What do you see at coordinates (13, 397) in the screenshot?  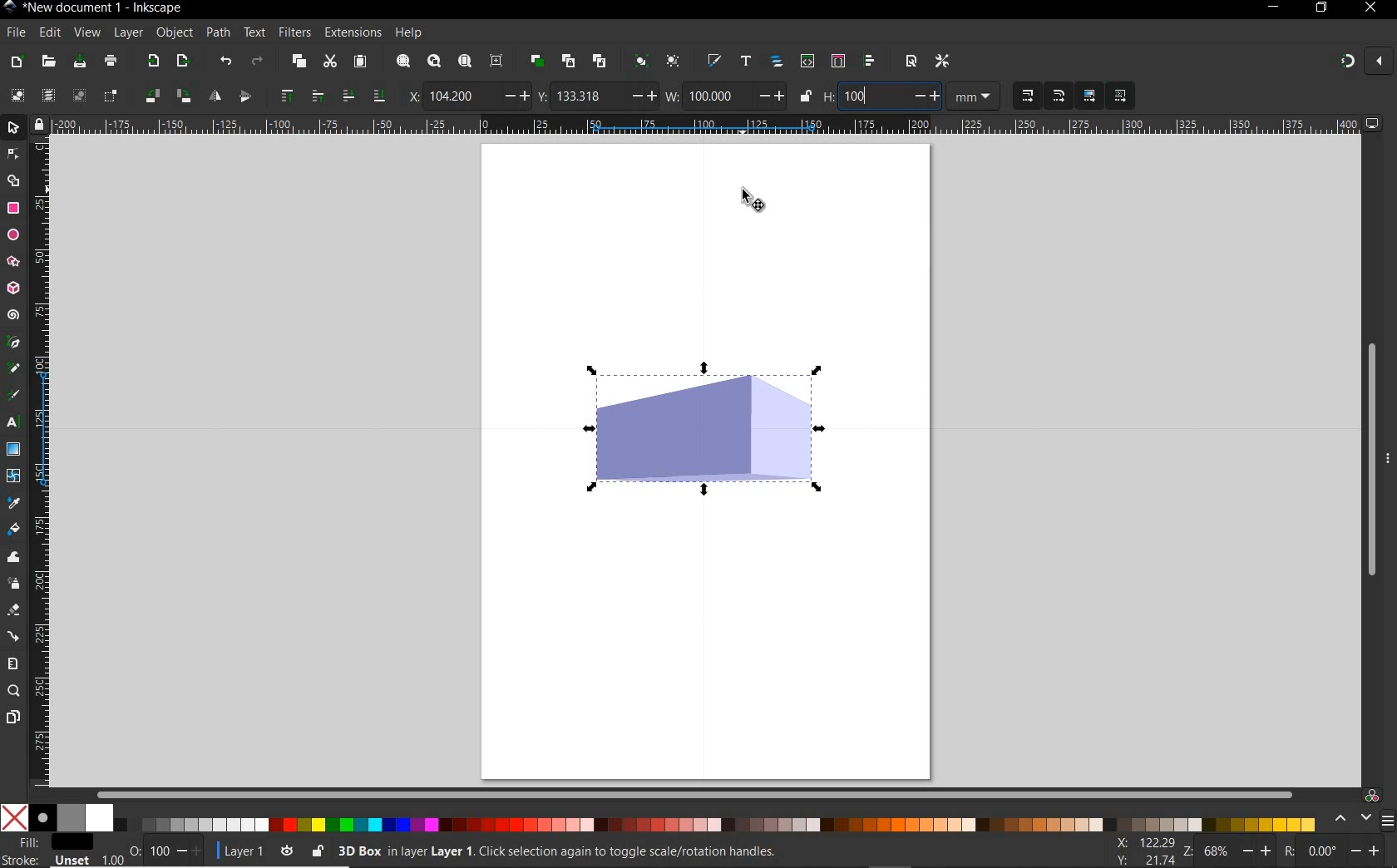 I see `calligraphy tool` at bounding box center [13, 397].